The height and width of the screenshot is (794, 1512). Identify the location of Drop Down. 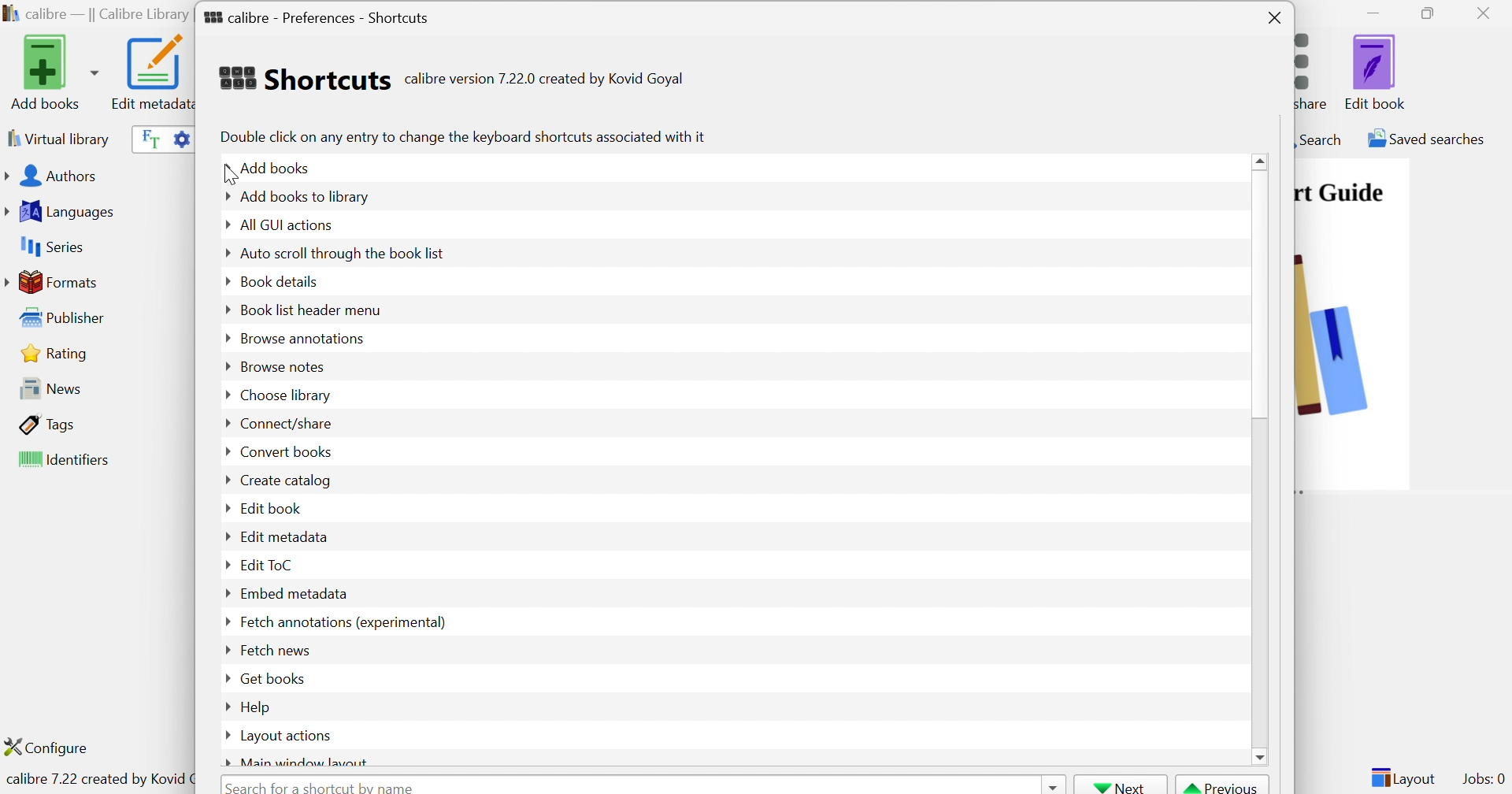
(222, 735).